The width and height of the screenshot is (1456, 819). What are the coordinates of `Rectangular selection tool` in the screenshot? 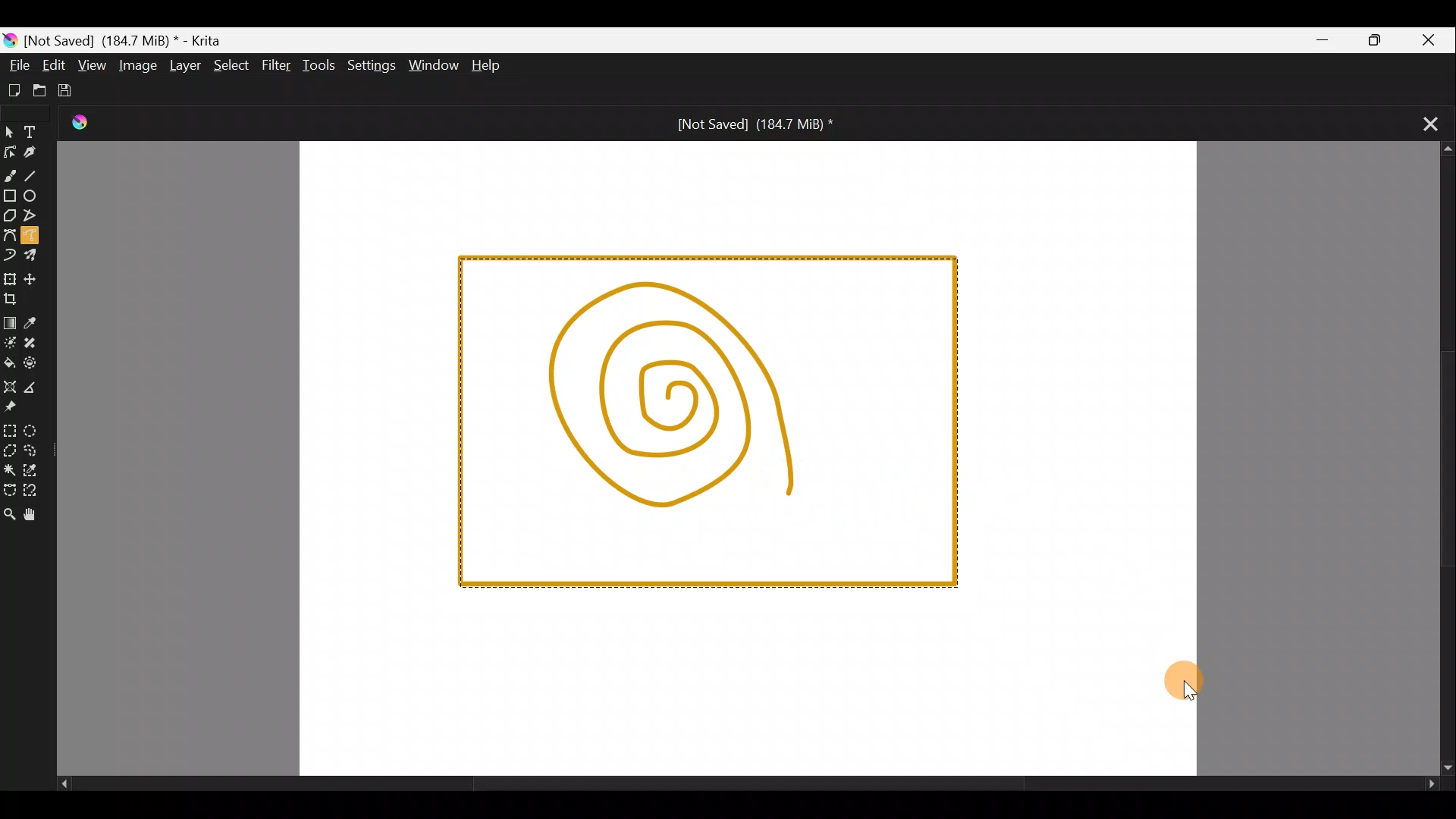 It's located at (10, 428).